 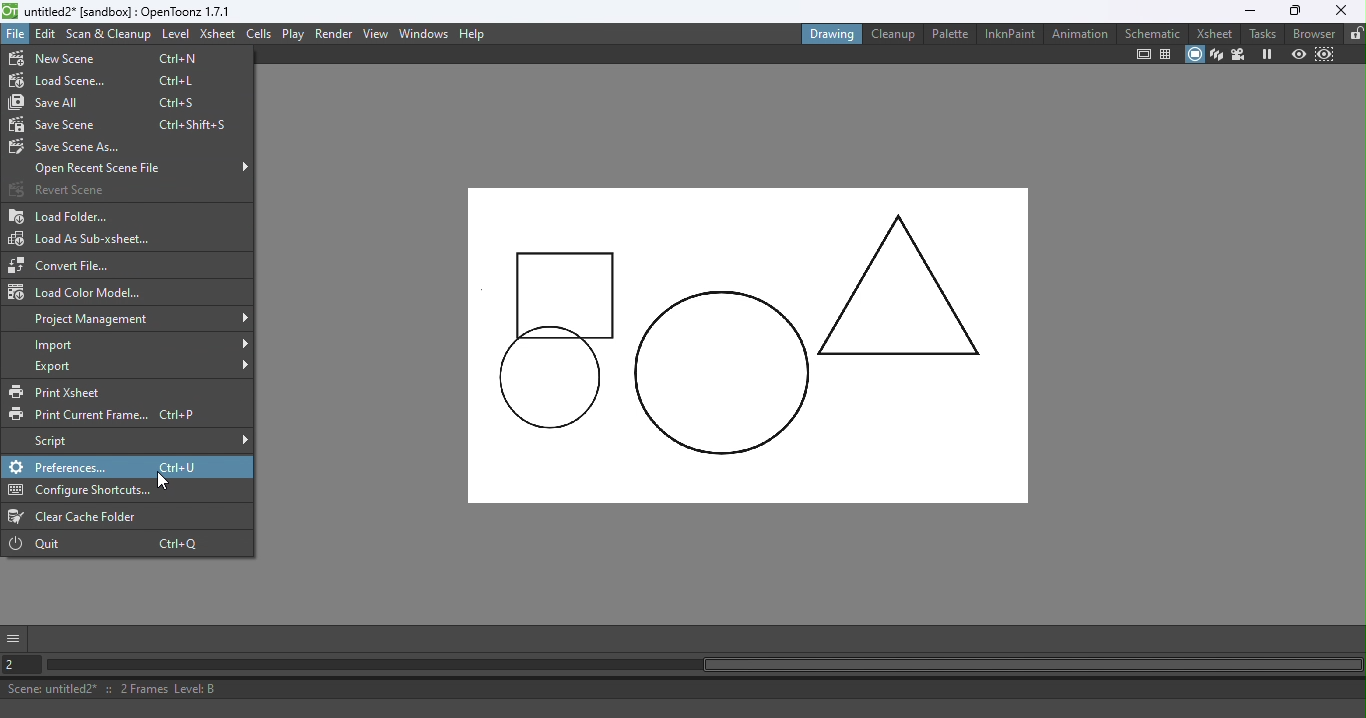 What do you see at coordinates (145, 167) in the screenshot?
I see `Open recent scene` at bounding box center [145, 167].